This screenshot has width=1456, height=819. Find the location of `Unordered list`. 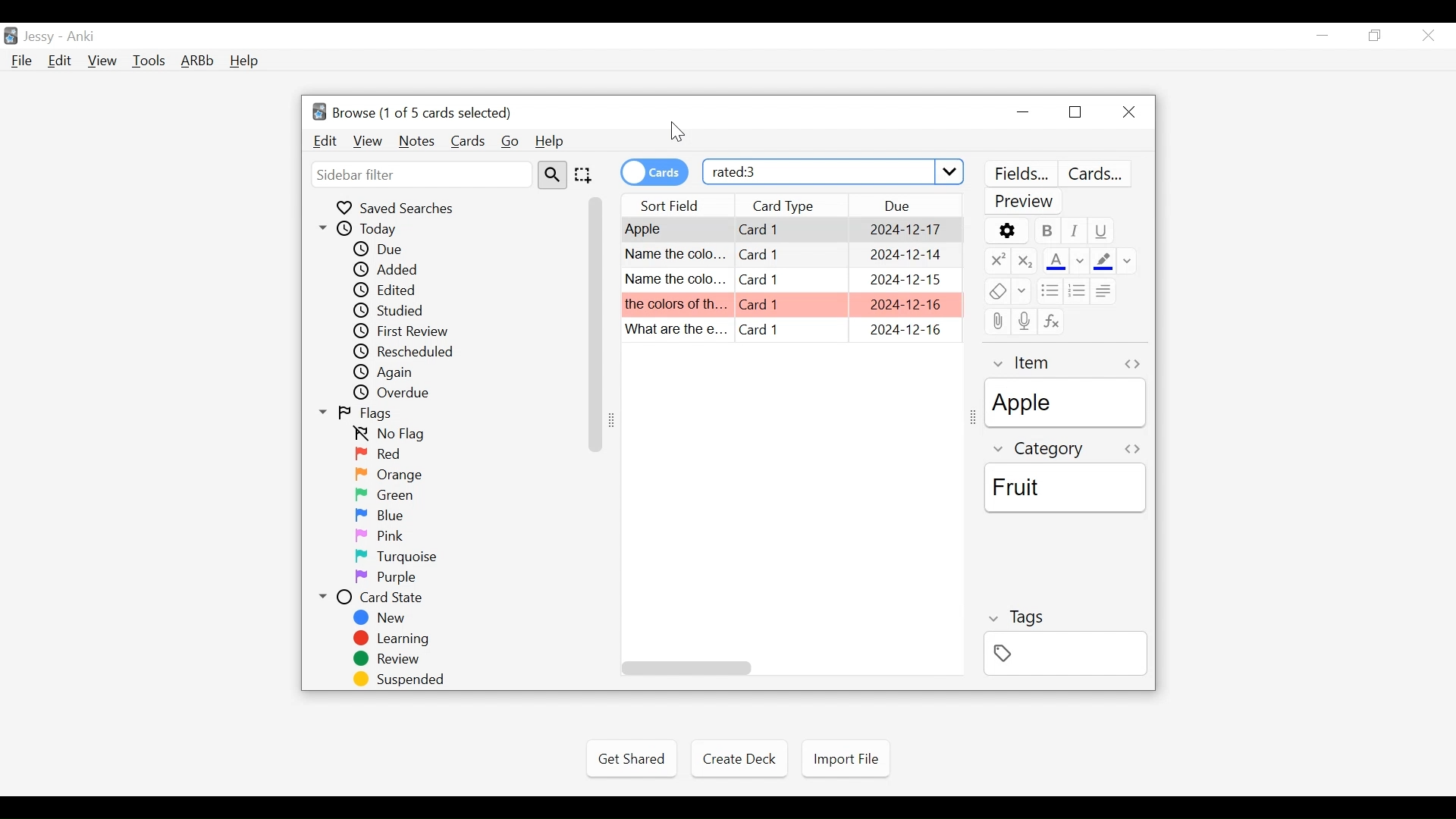

Unordered list is located at coordinates (1050, 290).